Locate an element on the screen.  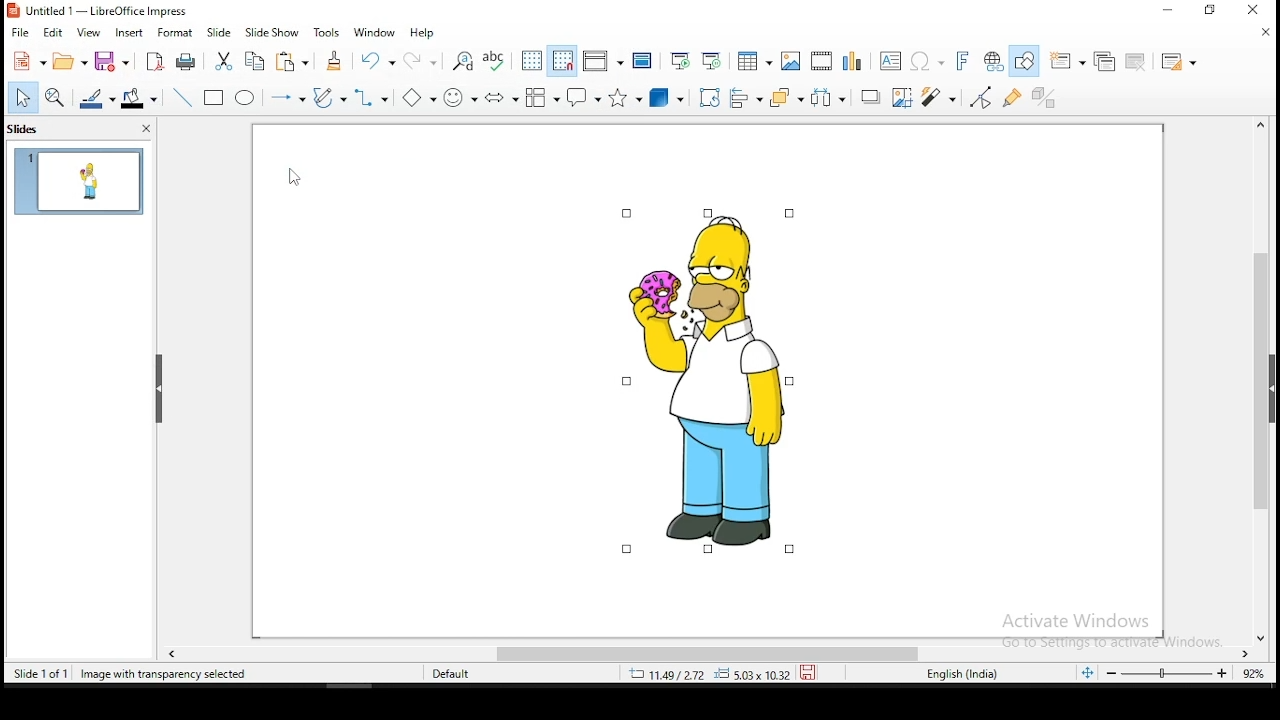
help is located at coordinates (425, 31).